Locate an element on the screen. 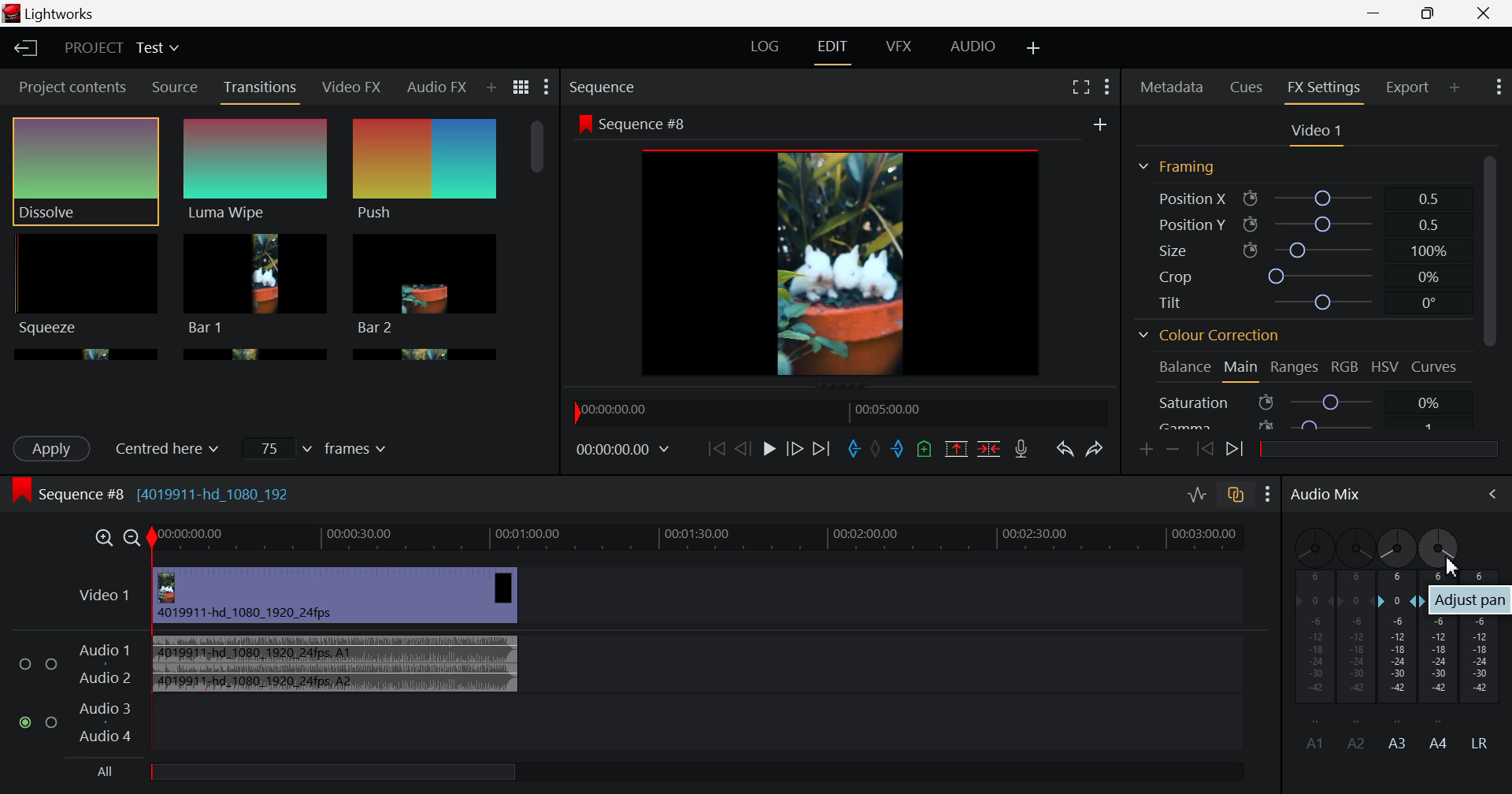 The height and width of the screenshot is (794, 1512). Cues is located at coordinates (1247, 87).